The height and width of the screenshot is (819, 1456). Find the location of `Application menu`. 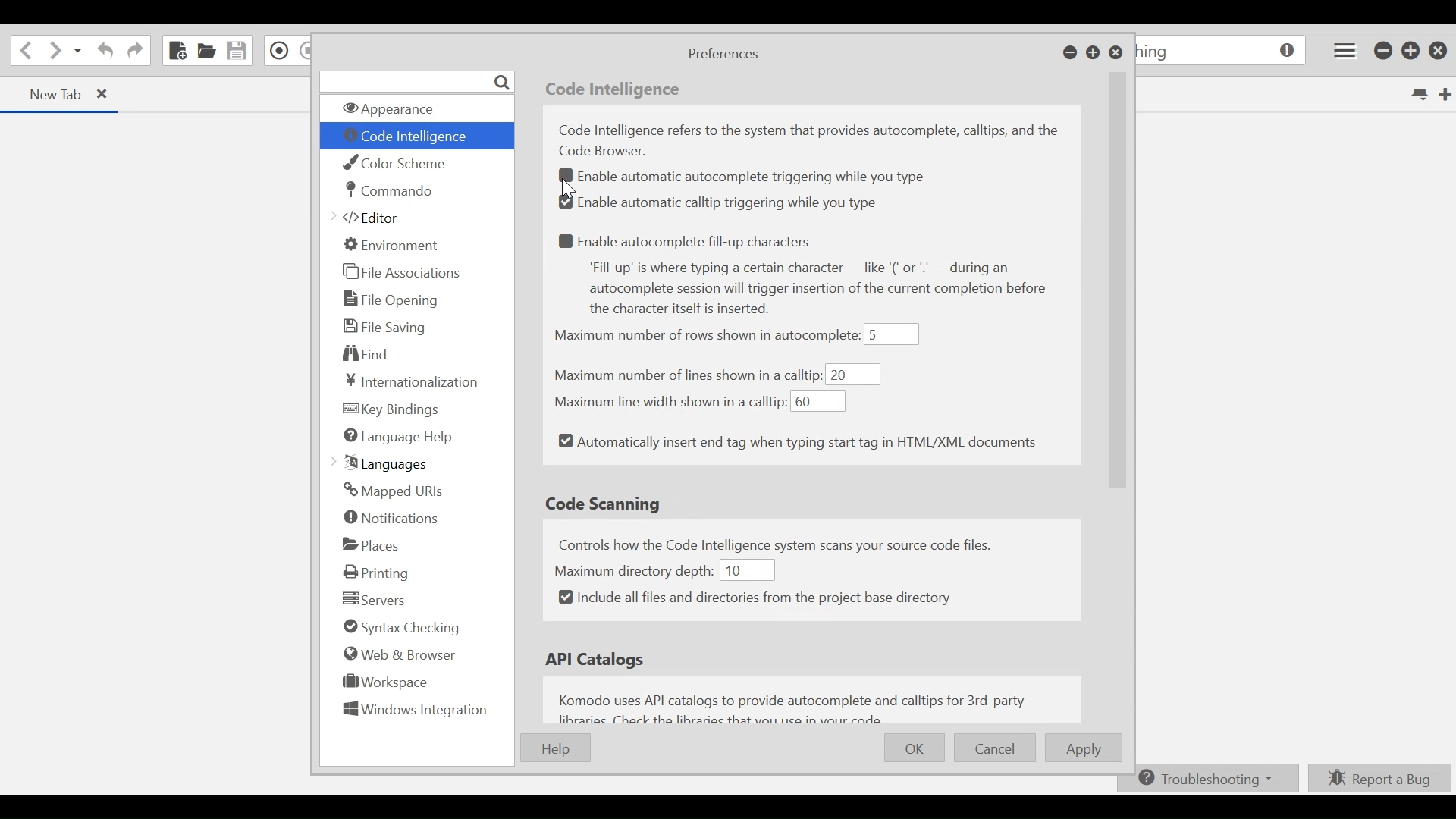

Application menu is located at coordinates (1341, 50).